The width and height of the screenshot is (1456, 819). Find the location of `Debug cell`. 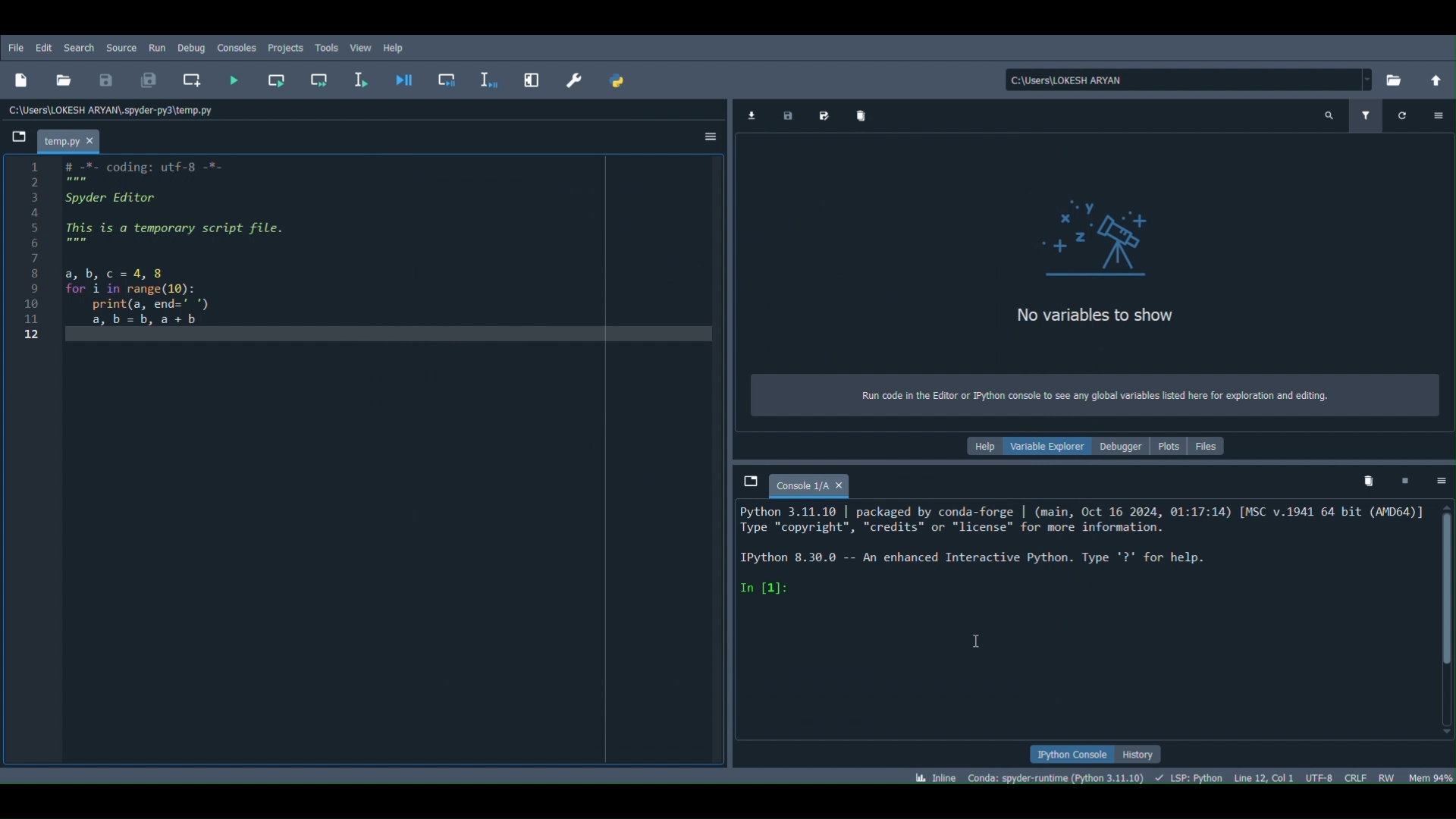

Debug cell is located at coordinates (450, 79).